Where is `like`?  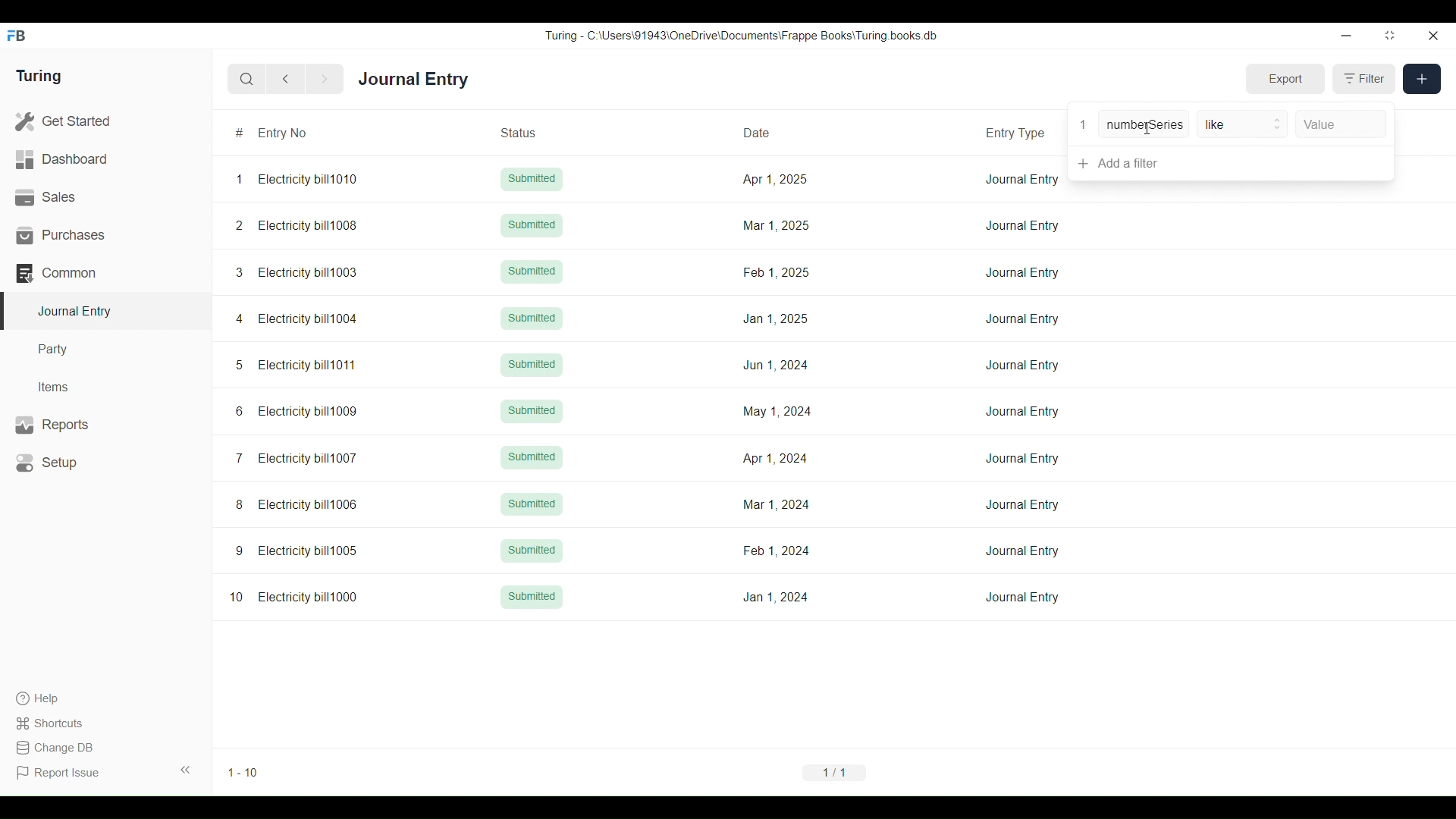 like is located at coordinates (1242, 124).